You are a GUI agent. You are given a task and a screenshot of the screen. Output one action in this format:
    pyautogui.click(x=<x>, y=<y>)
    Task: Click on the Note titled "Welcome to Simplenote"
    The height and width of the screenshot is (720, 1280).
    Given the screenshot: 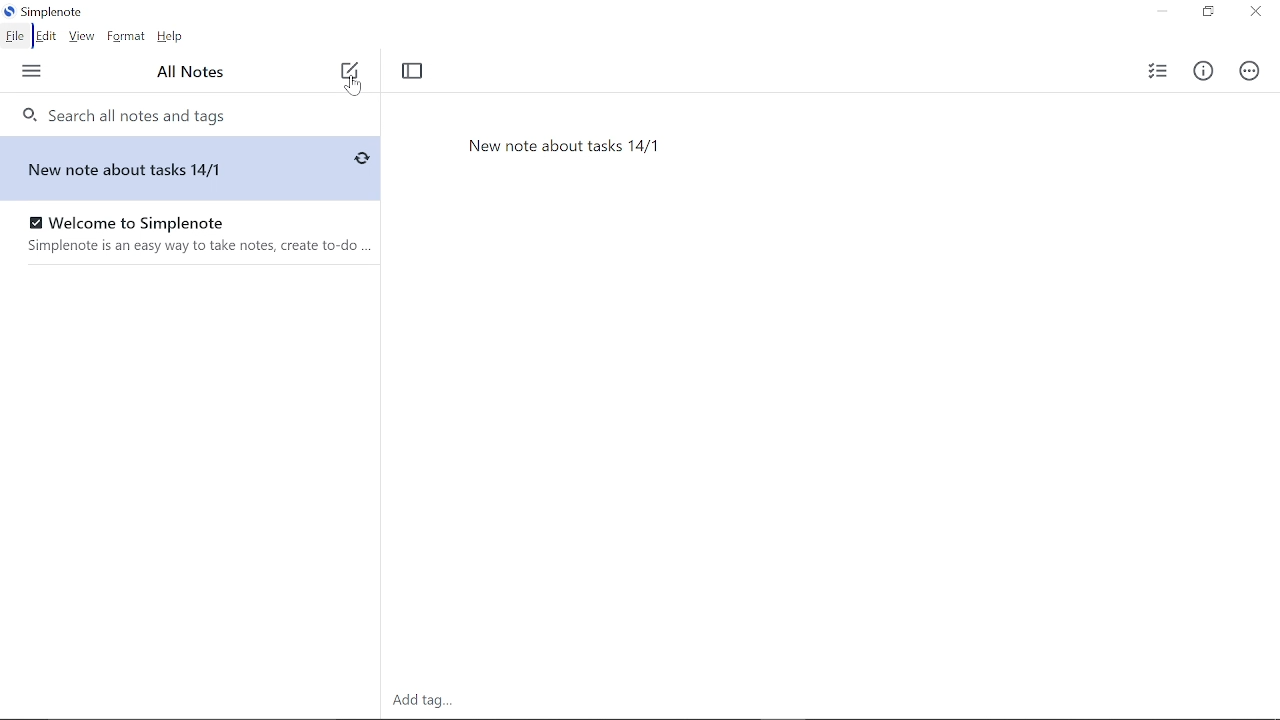 What is the action you would take?
    pyautogui.click(x=180, y=232)
    